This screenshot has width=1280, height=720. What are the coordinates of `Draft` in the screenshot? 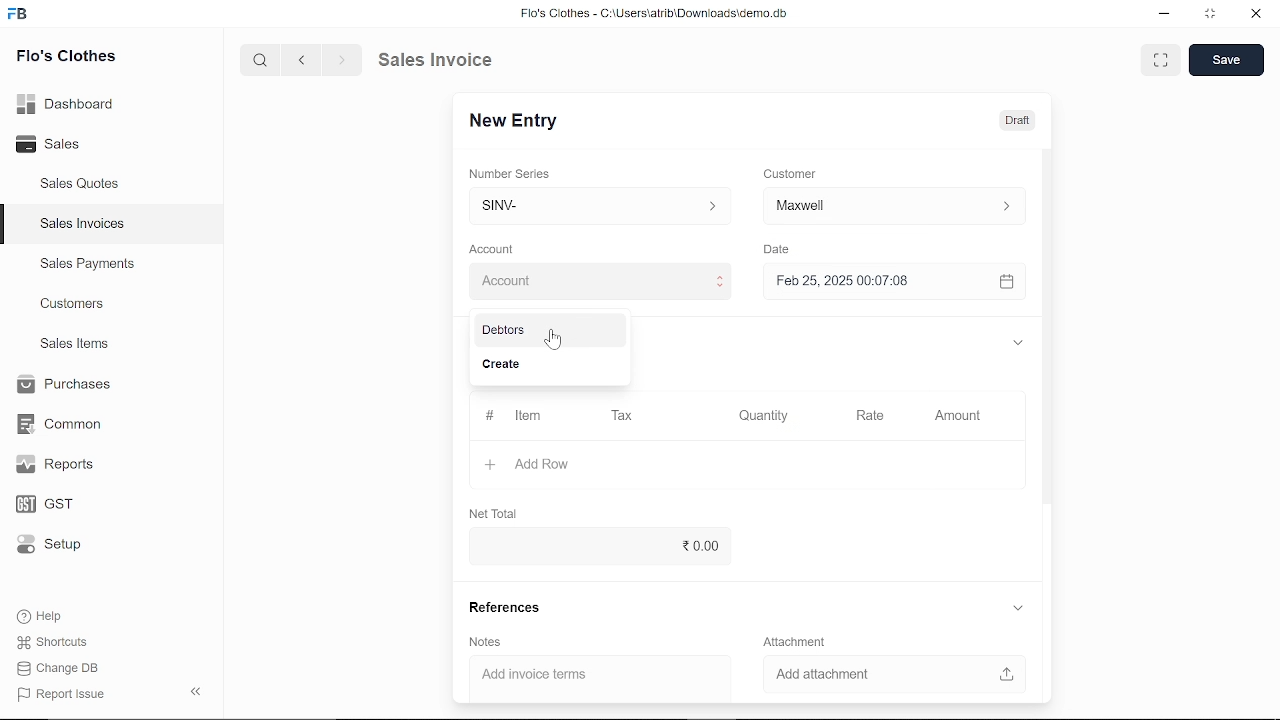 It's located at (1021, 118).